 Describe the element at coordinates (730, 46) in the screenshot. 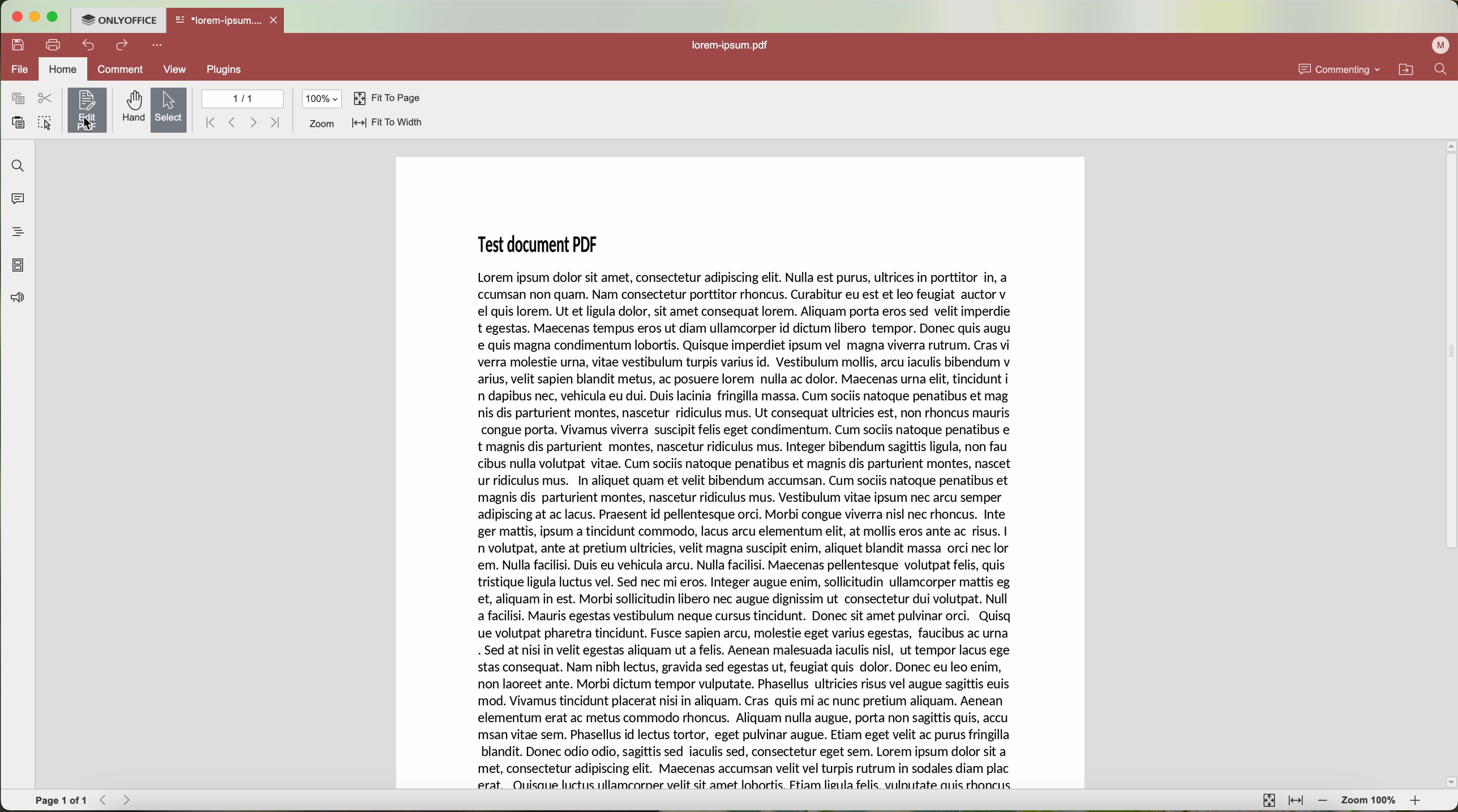

I see `file name` at that location.